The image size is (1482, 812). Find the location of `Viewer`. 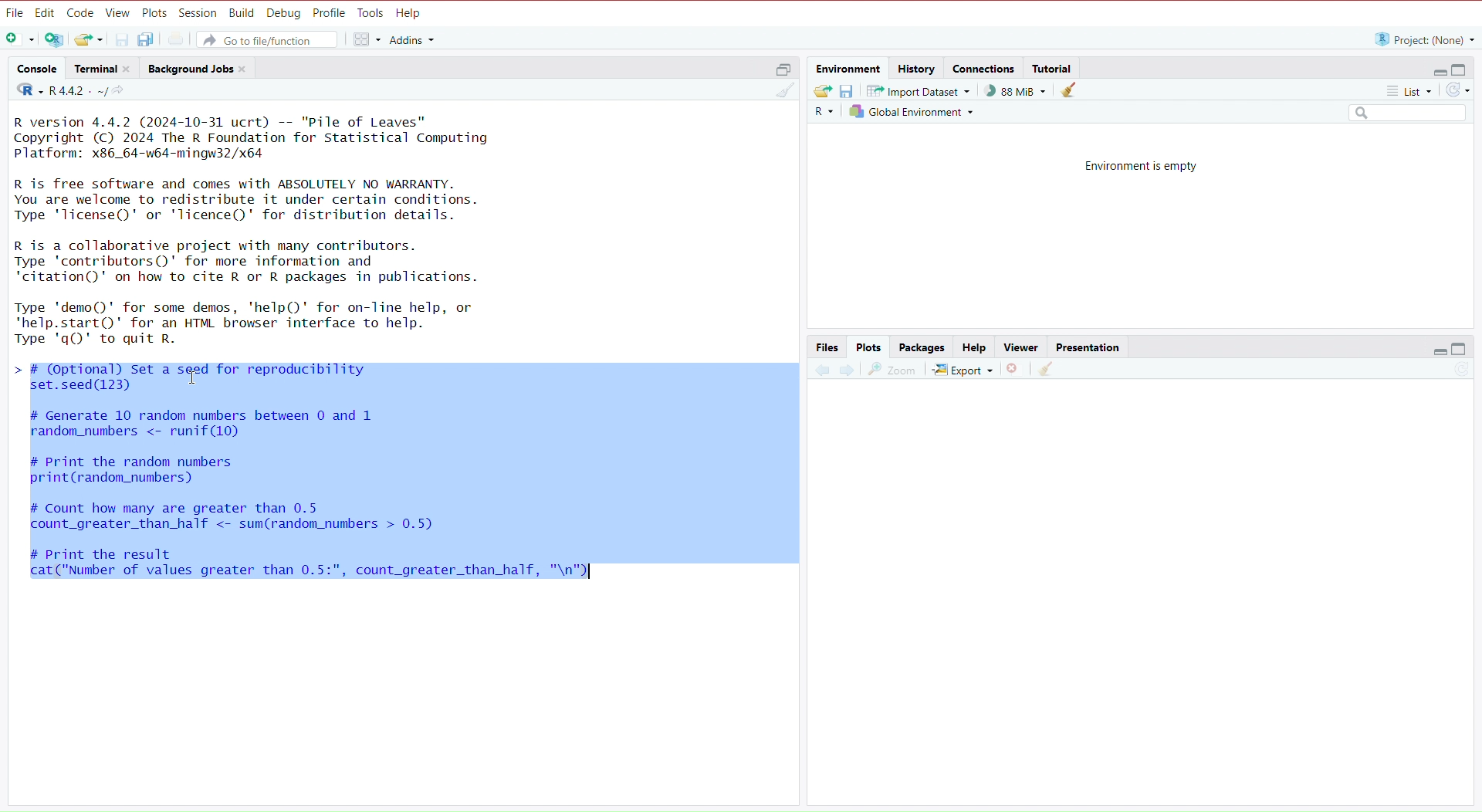

Viewer is located at coordinates (1023, 346).